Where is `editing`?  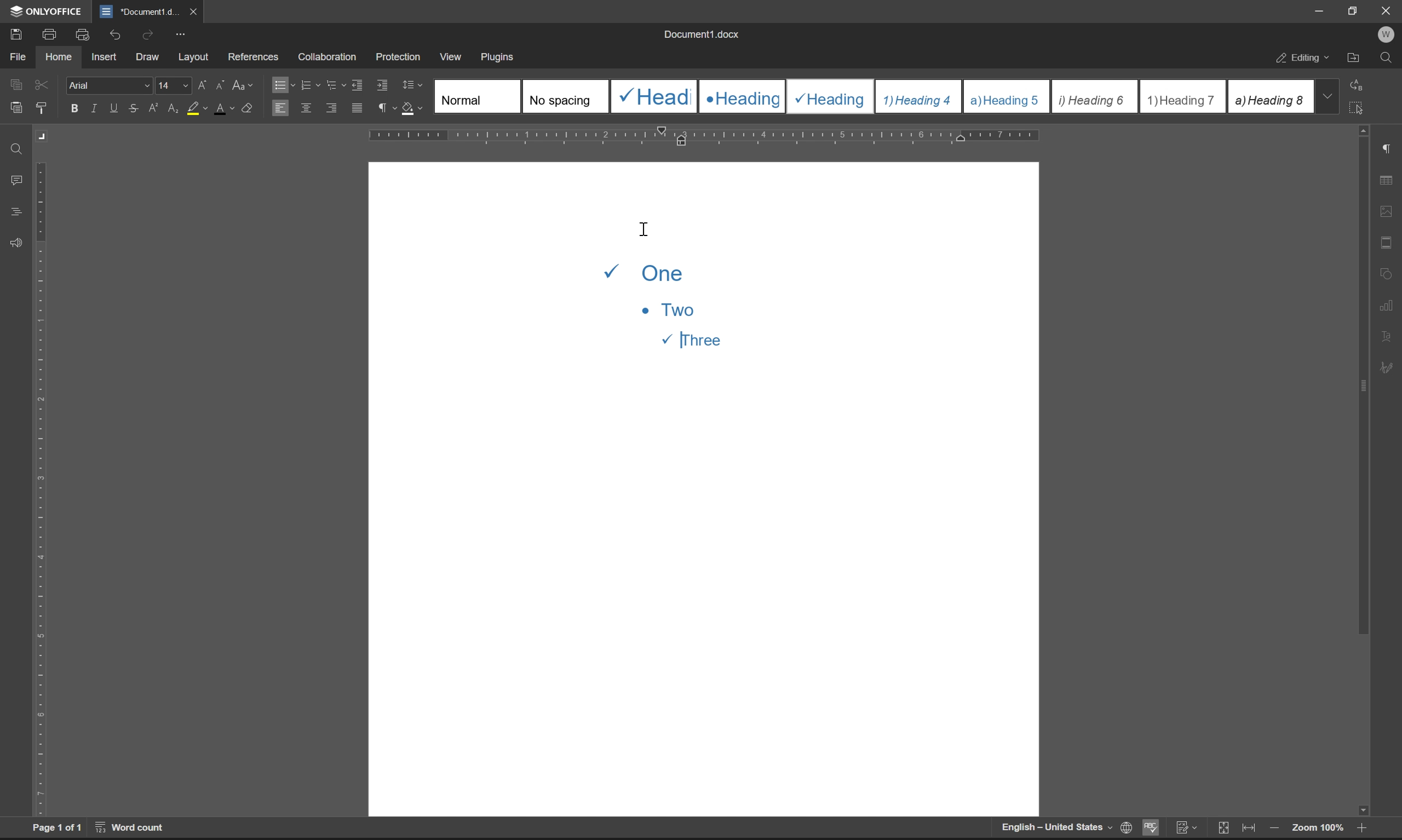
editing is located at coordinates (1304, 59).